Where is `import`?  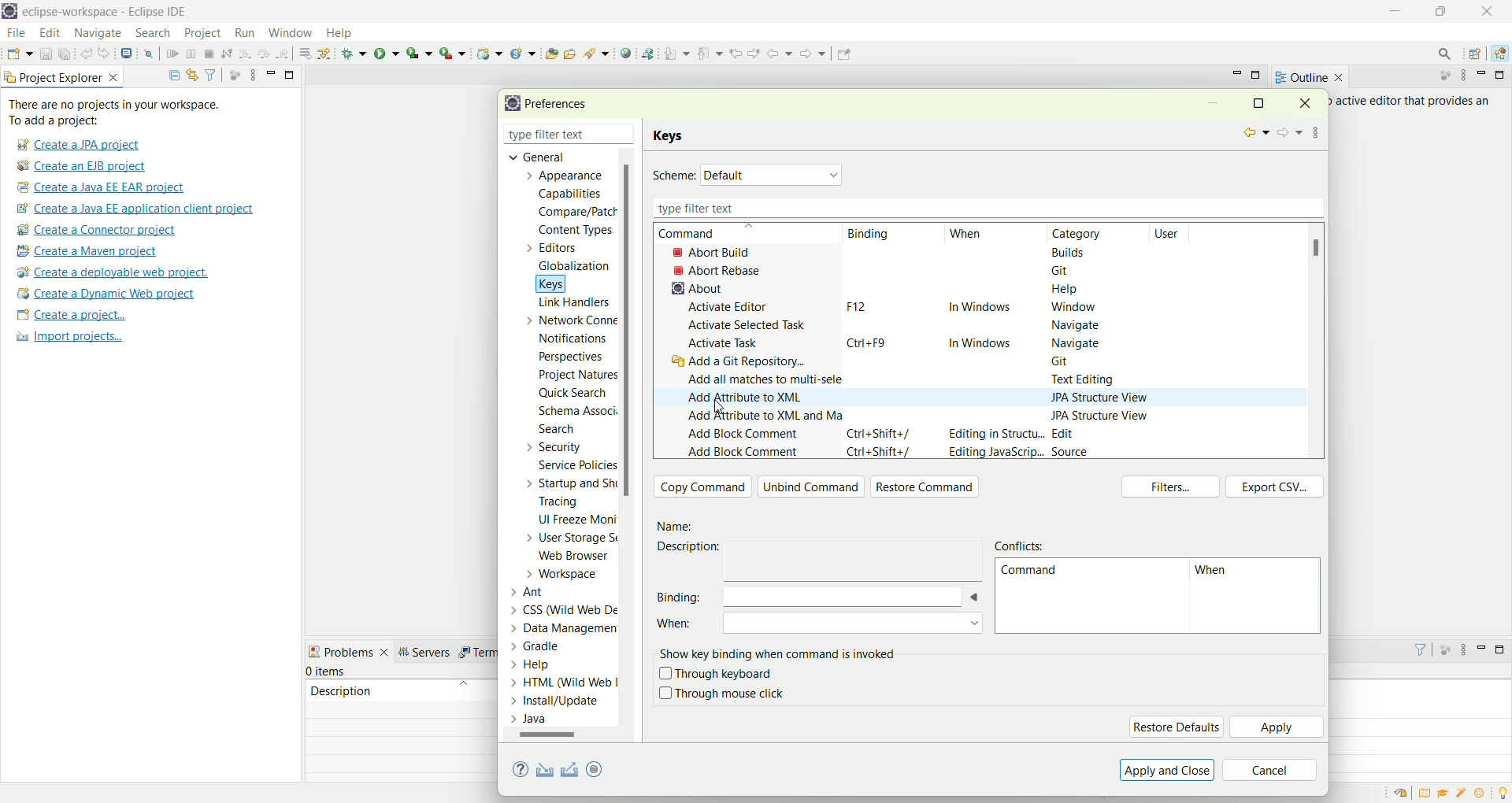
import is located at coordinates (542, 771).